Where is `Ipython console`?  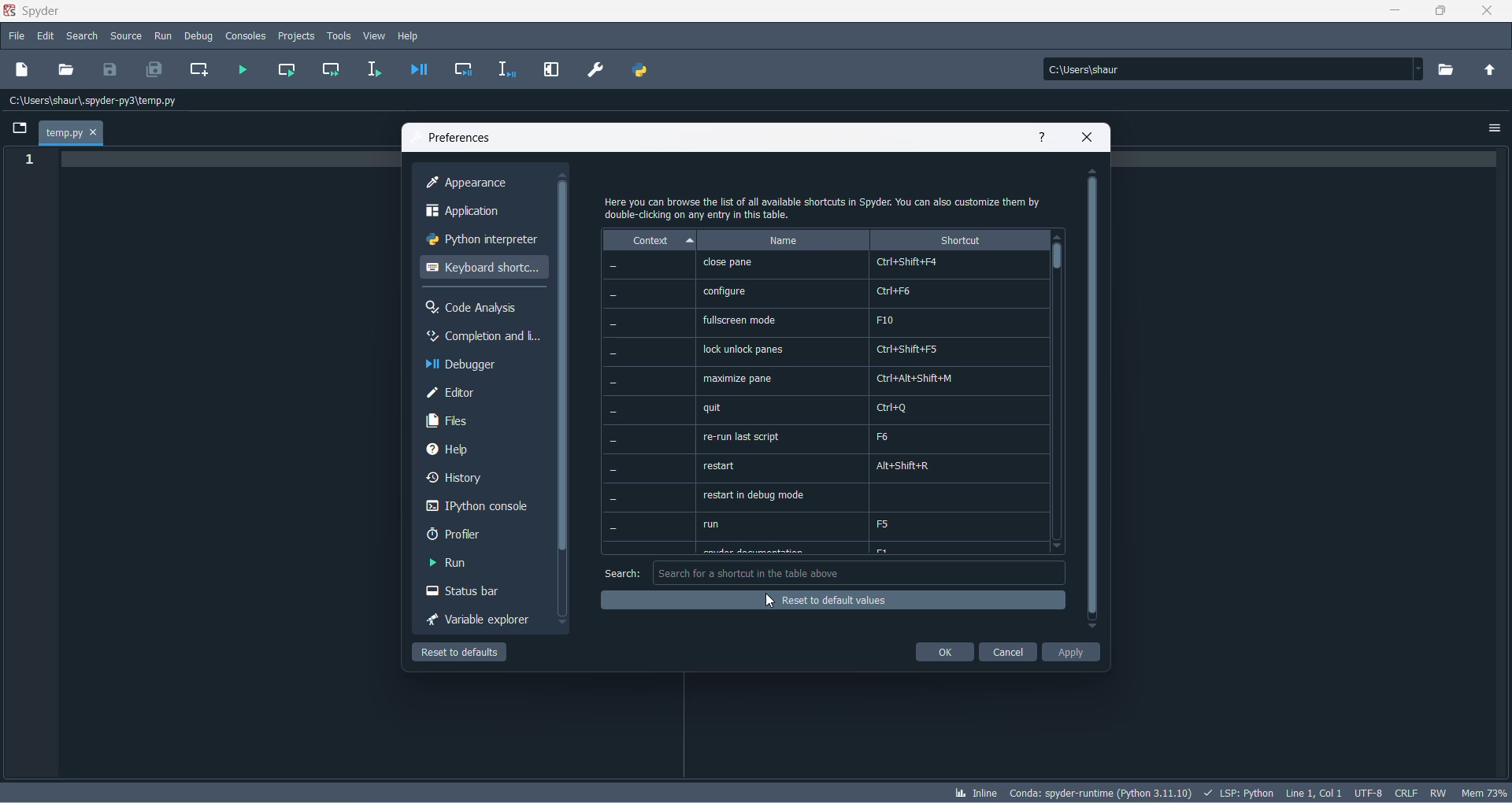
Ipython console is located at coordinates (479, 509).